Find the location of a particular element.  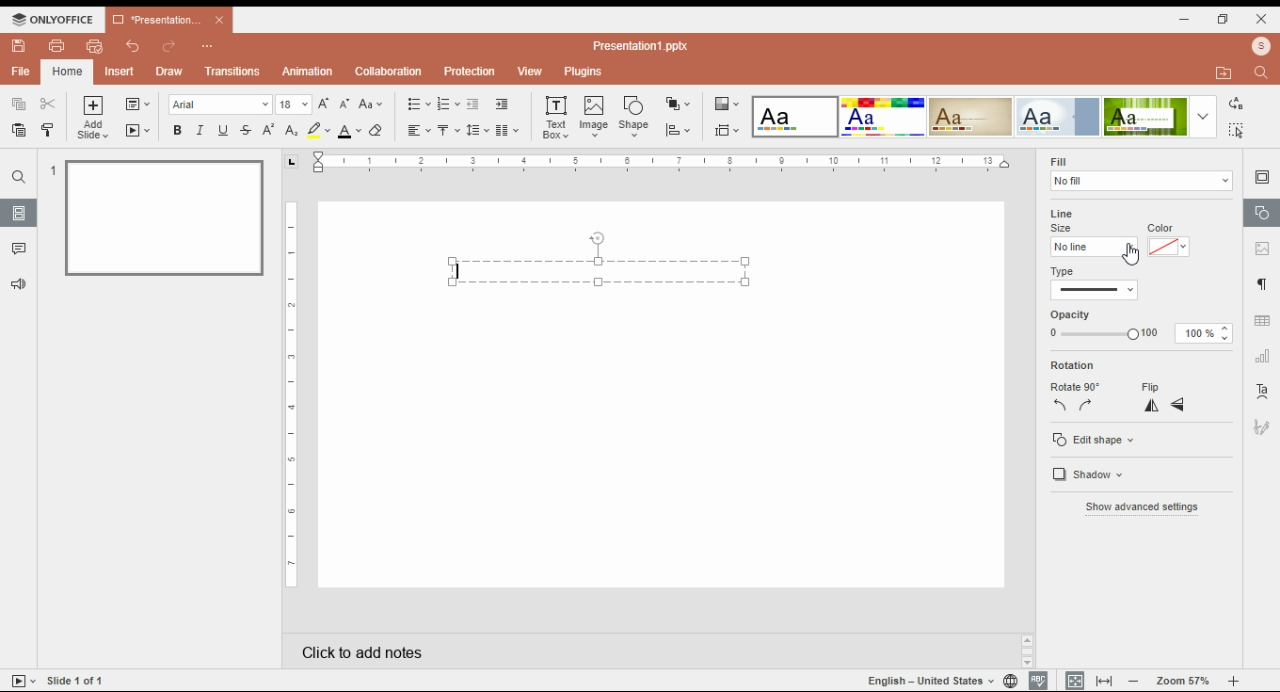

underline is located at coordinates (224, 130).